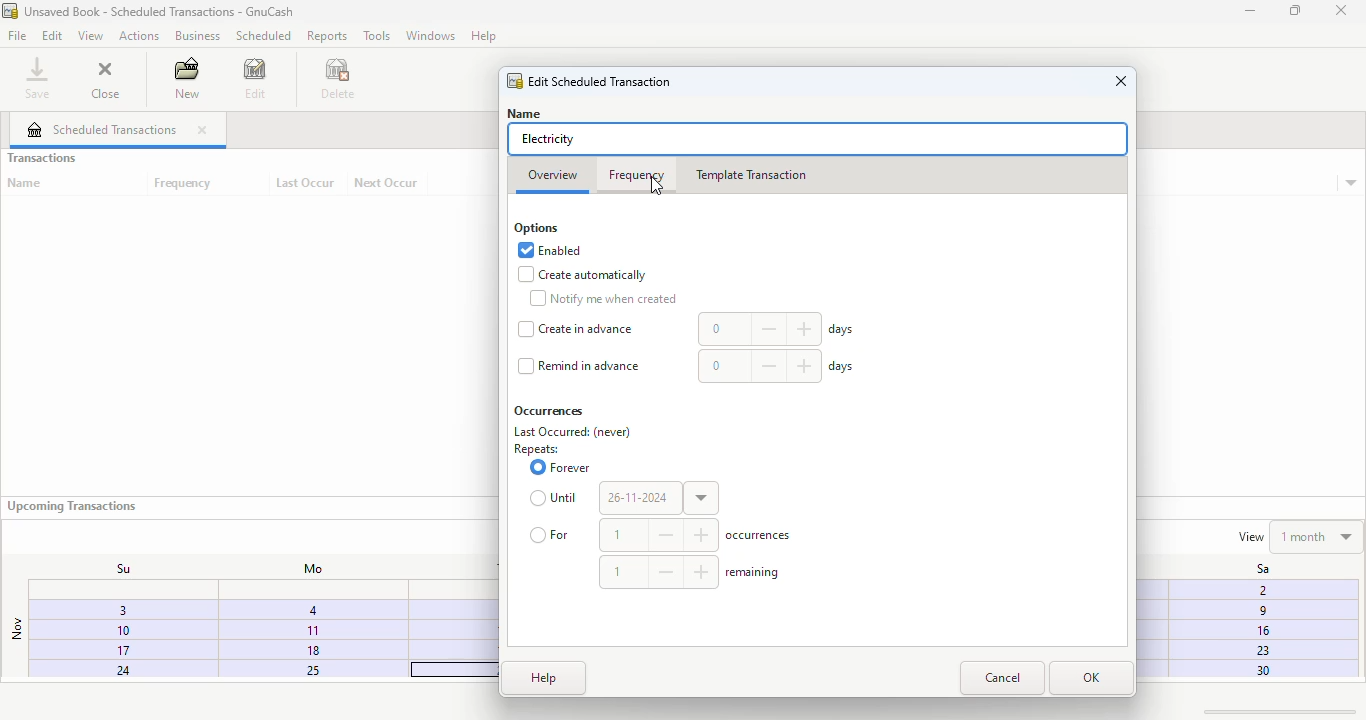 The image size is (1366, 720). What do you see at coordinates (579, 366) in the screenshot?
I see `remind in advance` at bounding box center [579, 366].